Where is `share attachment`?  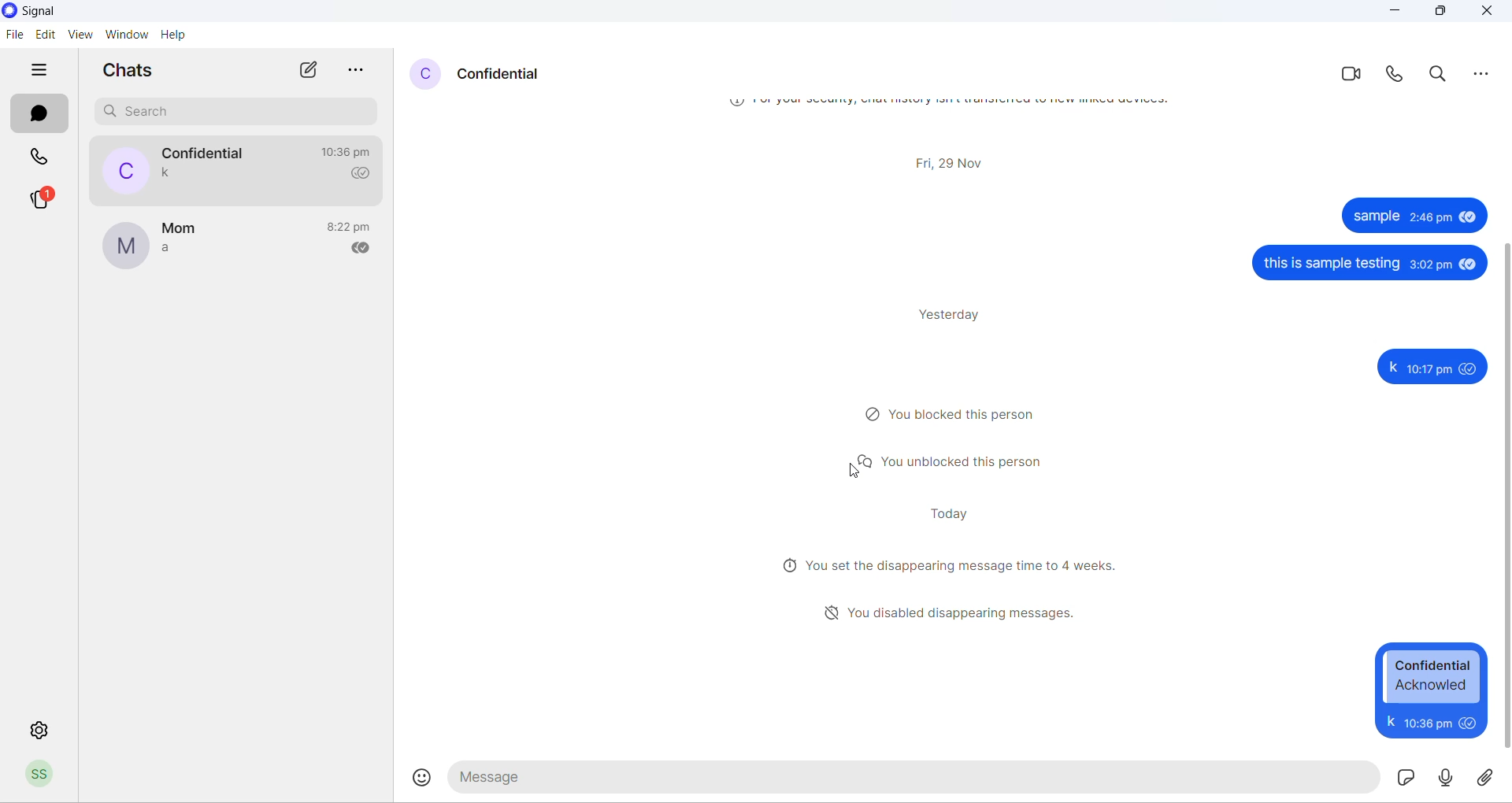
share attachment is located at coordinates (1489, 779).